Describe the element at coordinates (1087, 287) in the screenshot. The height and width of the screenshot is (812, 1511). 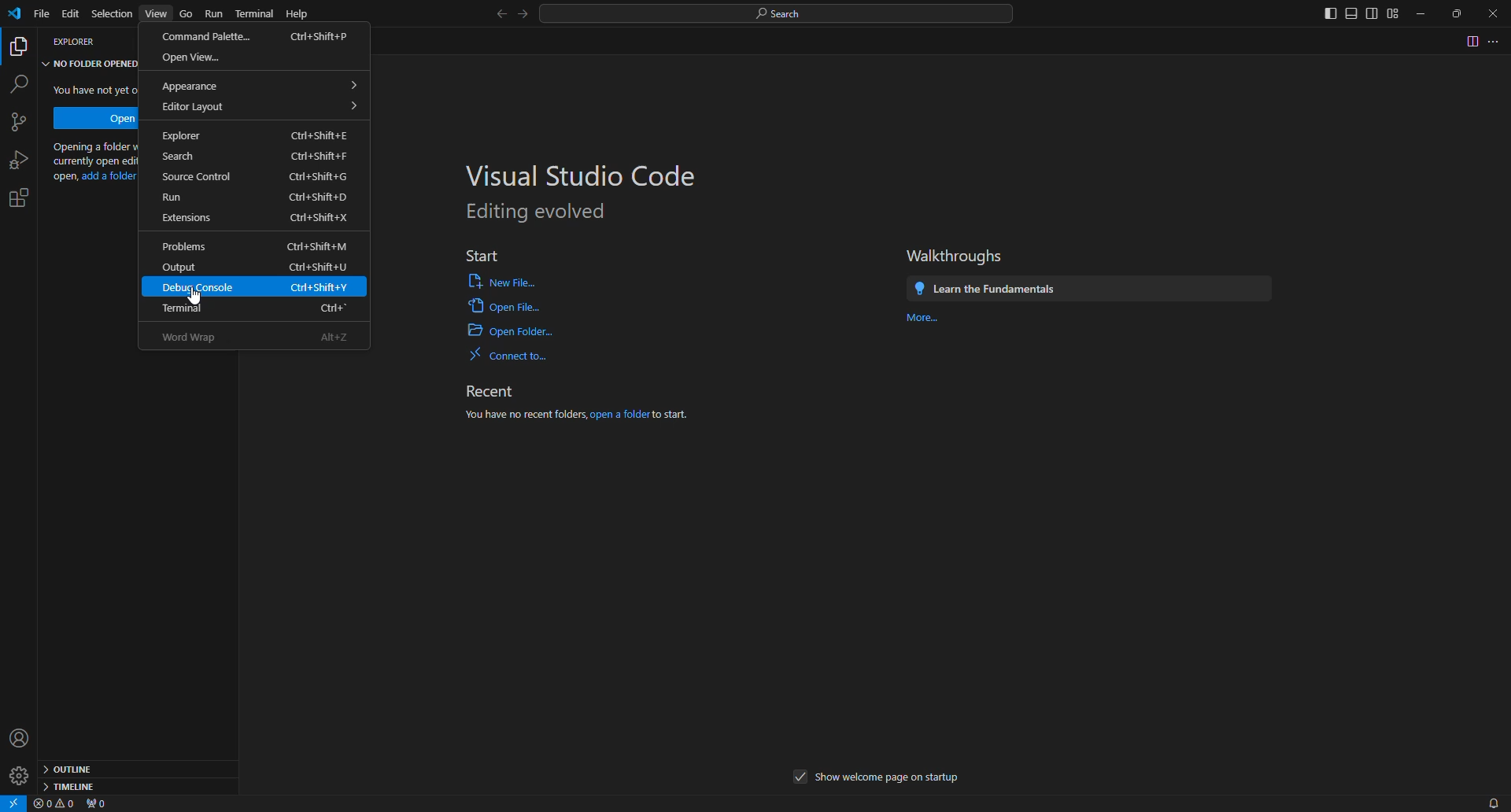
I see `Learn the Fundamentals` at that location.